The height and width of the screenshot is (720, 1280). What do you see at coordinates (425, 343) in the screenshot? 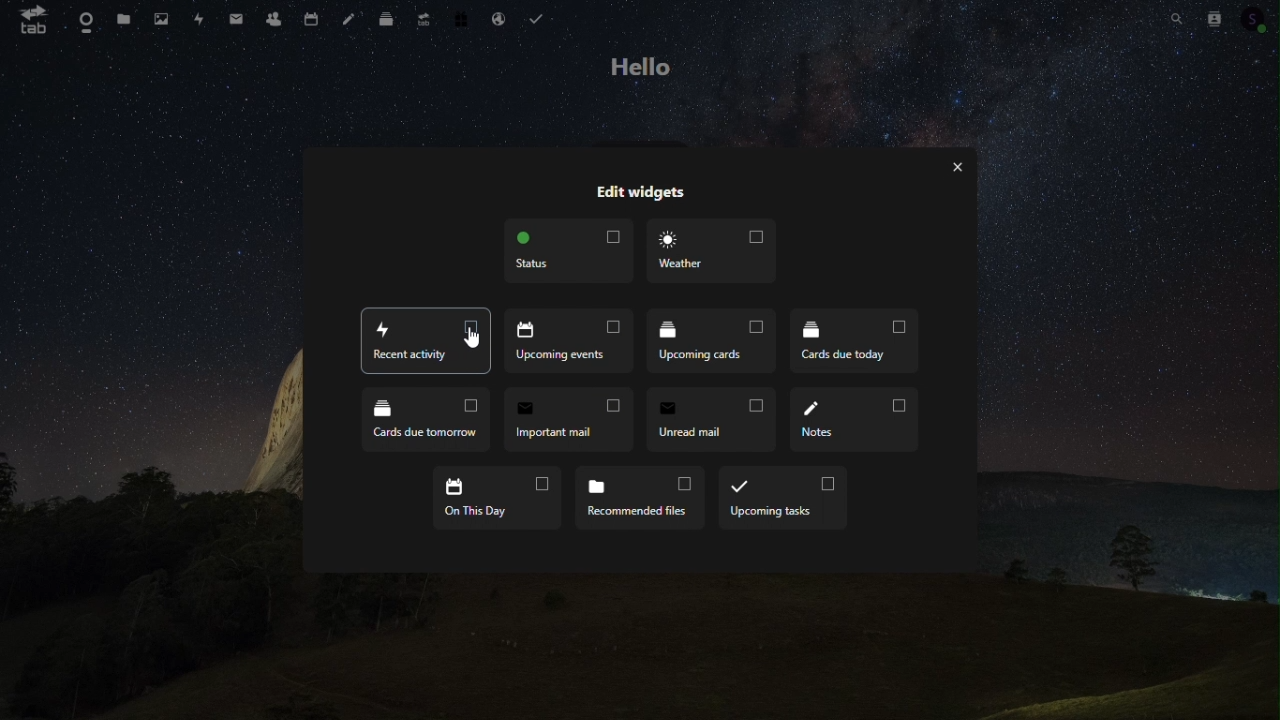
I see `Recent activity` at bounding box center [425, 343].